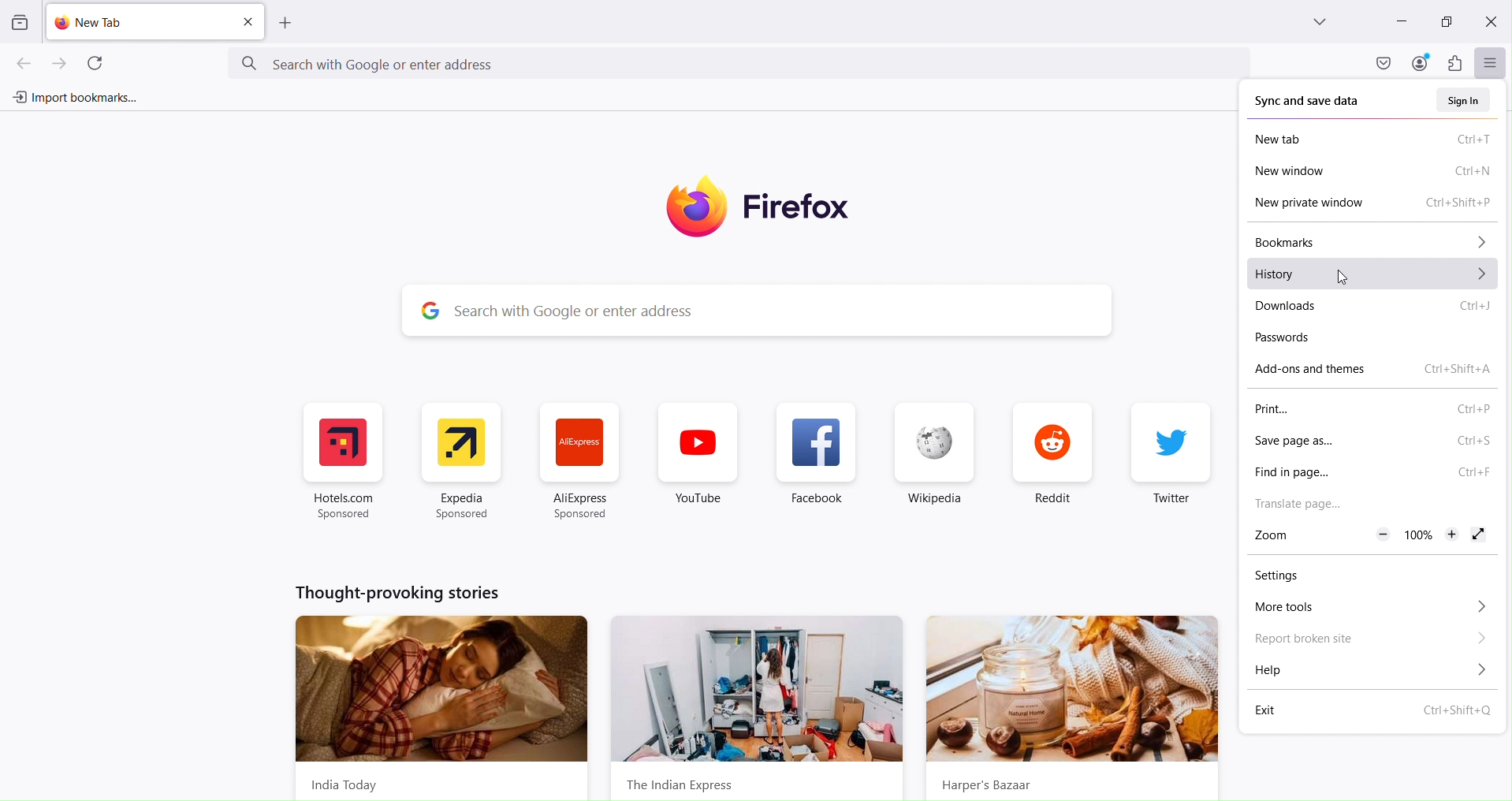 The image size is (1512, 801). What do you see at coordinates (438, 705) in the screenshot?
I see `India today` at bounding box center [438, 705].